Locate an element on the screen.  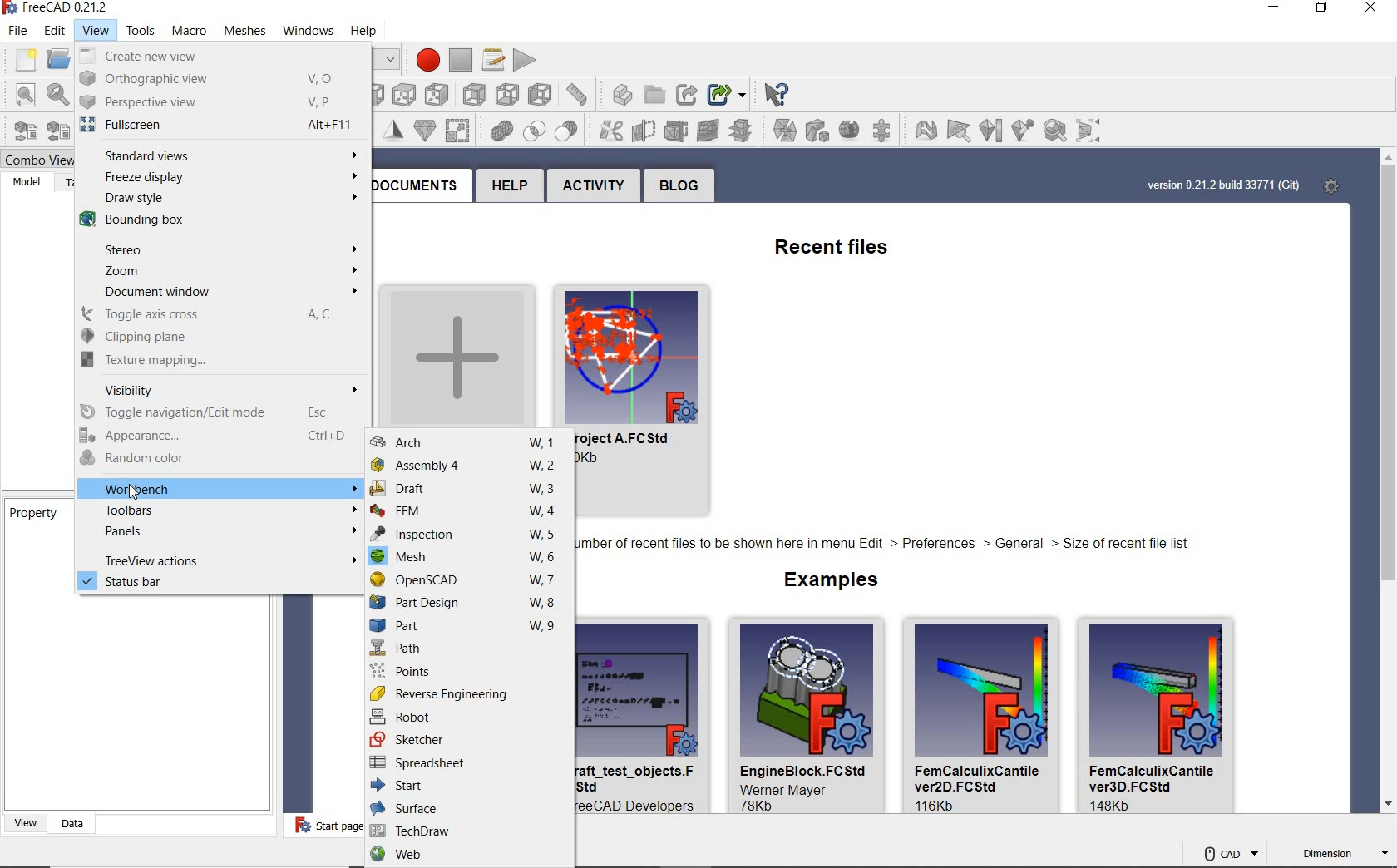
cursor is located at coordinates (136, 495).